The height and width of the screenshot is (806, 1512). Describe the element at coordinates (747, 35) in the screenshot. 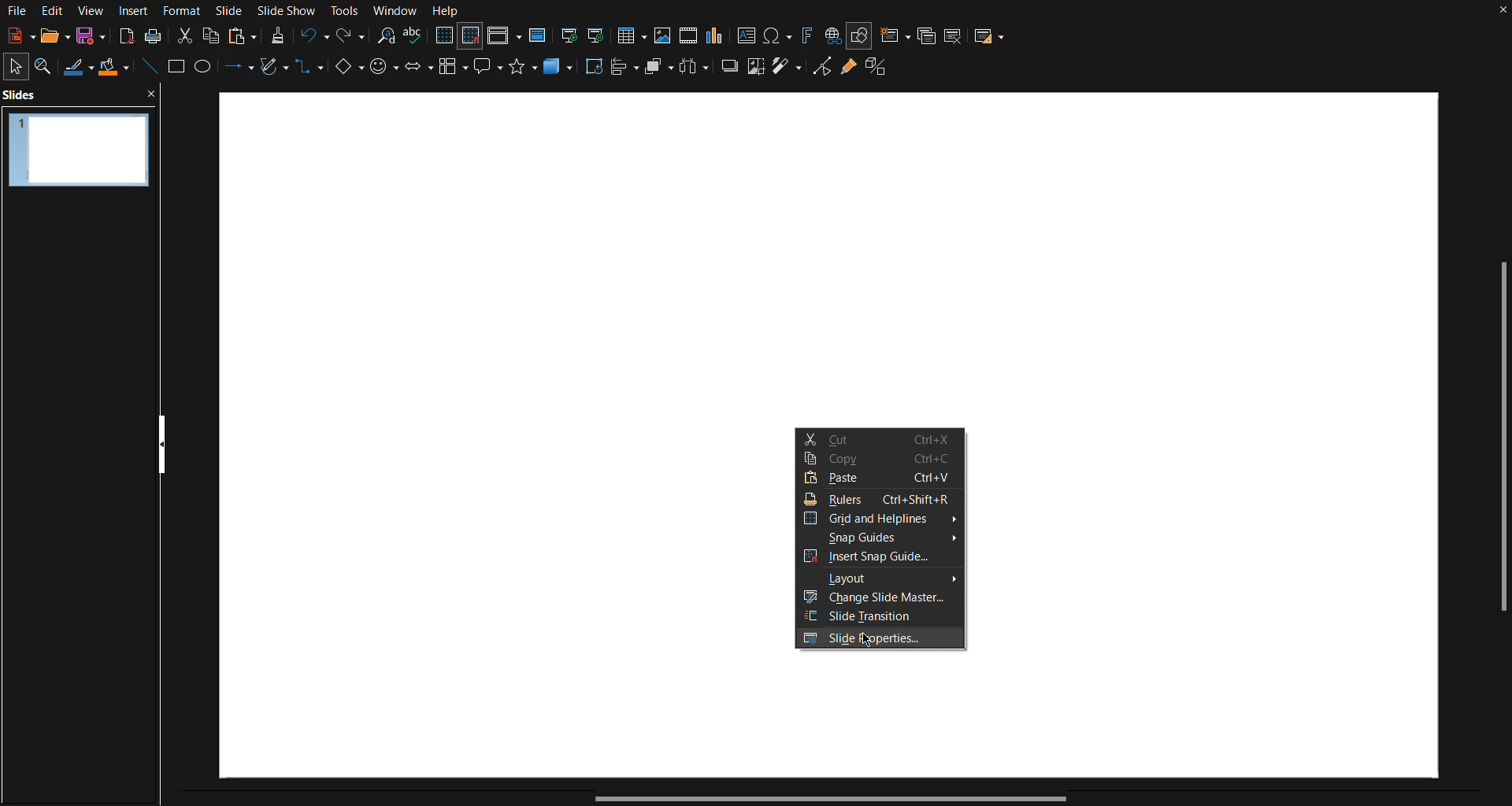

I see `Insert Textbox` at that location.